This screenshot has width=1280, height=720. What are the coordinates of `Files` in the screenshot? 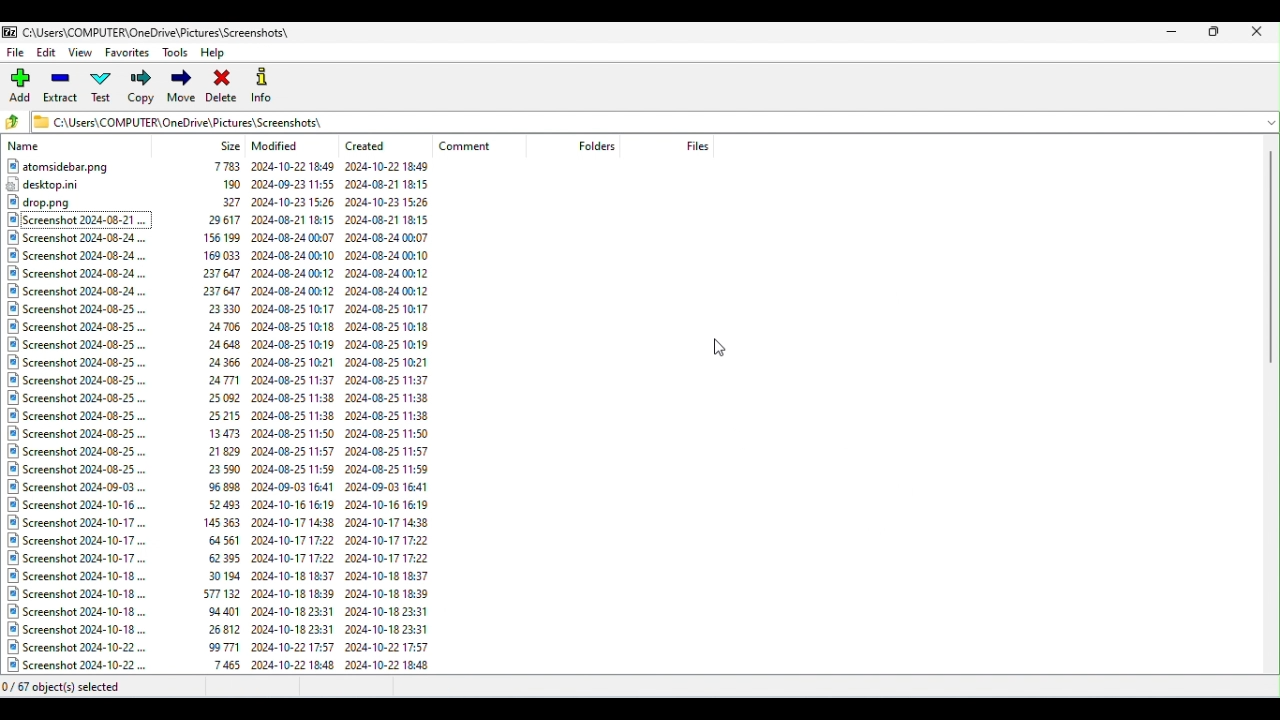 It's located at (219, 418).